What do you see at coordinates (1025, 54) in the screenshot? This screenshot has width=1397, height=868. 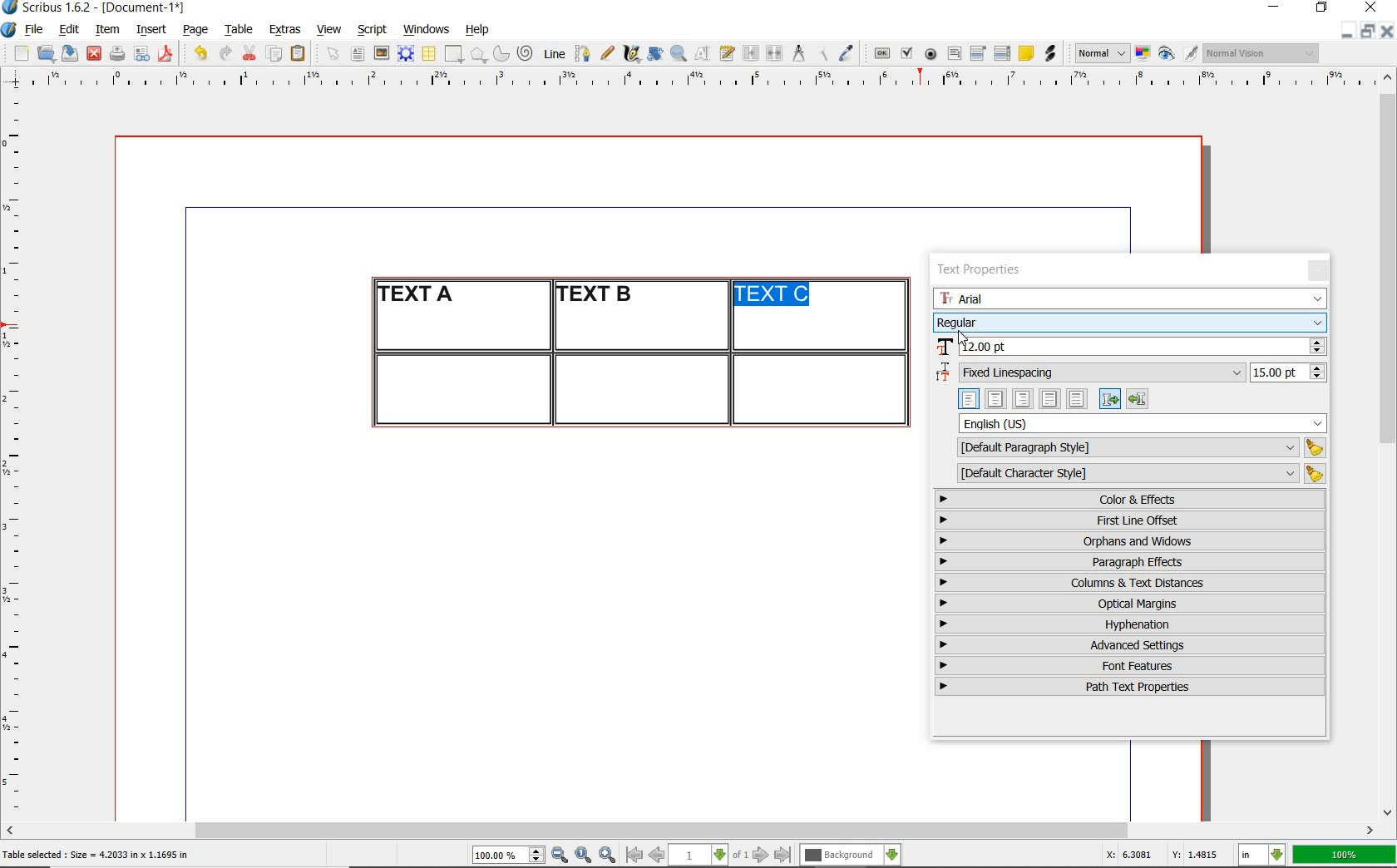 I see `text annotation` at bounding box center [1025, 54].